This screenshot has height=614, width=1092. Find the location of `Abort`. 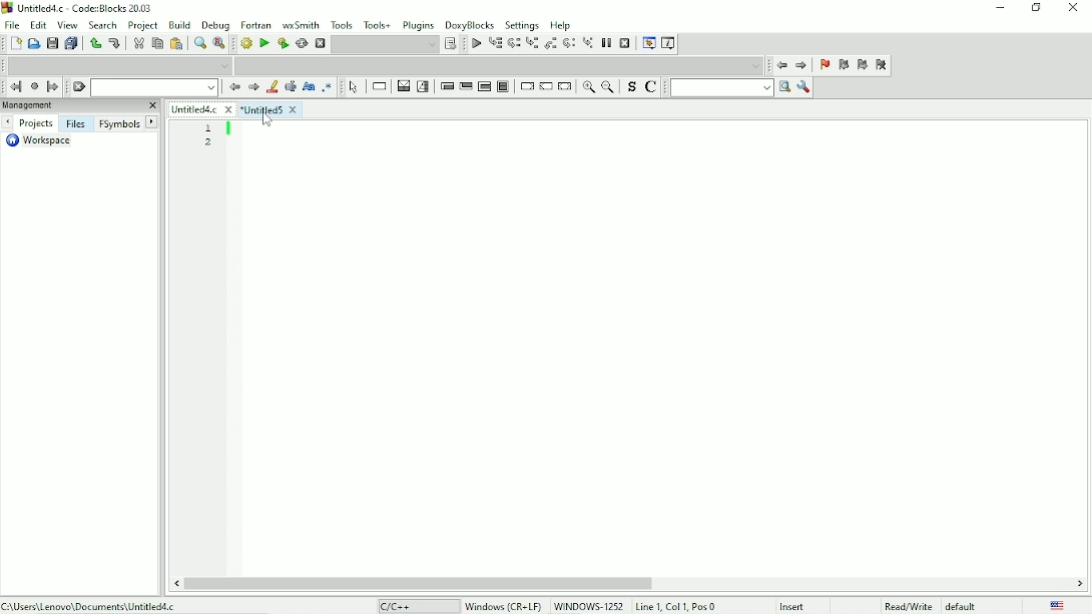

Abort is located at coordinates (320, 44).